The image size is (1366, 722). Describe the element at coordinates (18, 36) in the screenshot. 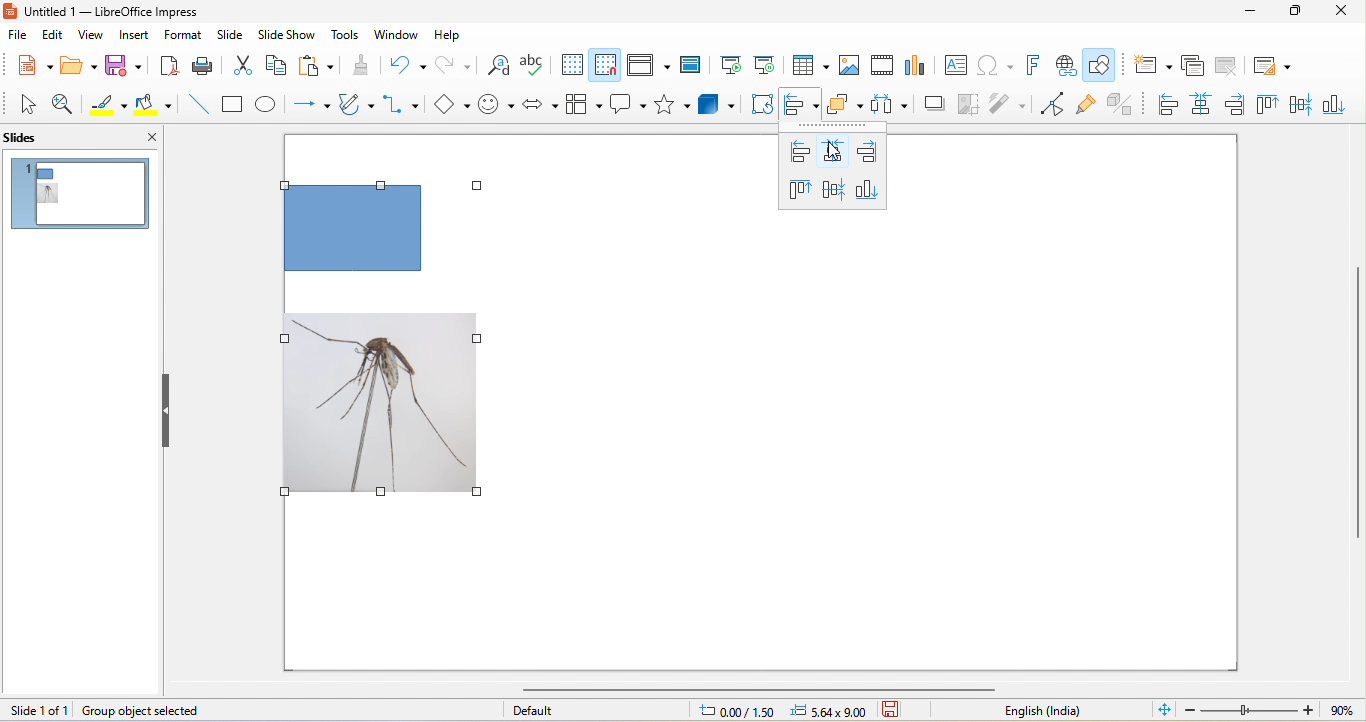

I see `file` at that location.